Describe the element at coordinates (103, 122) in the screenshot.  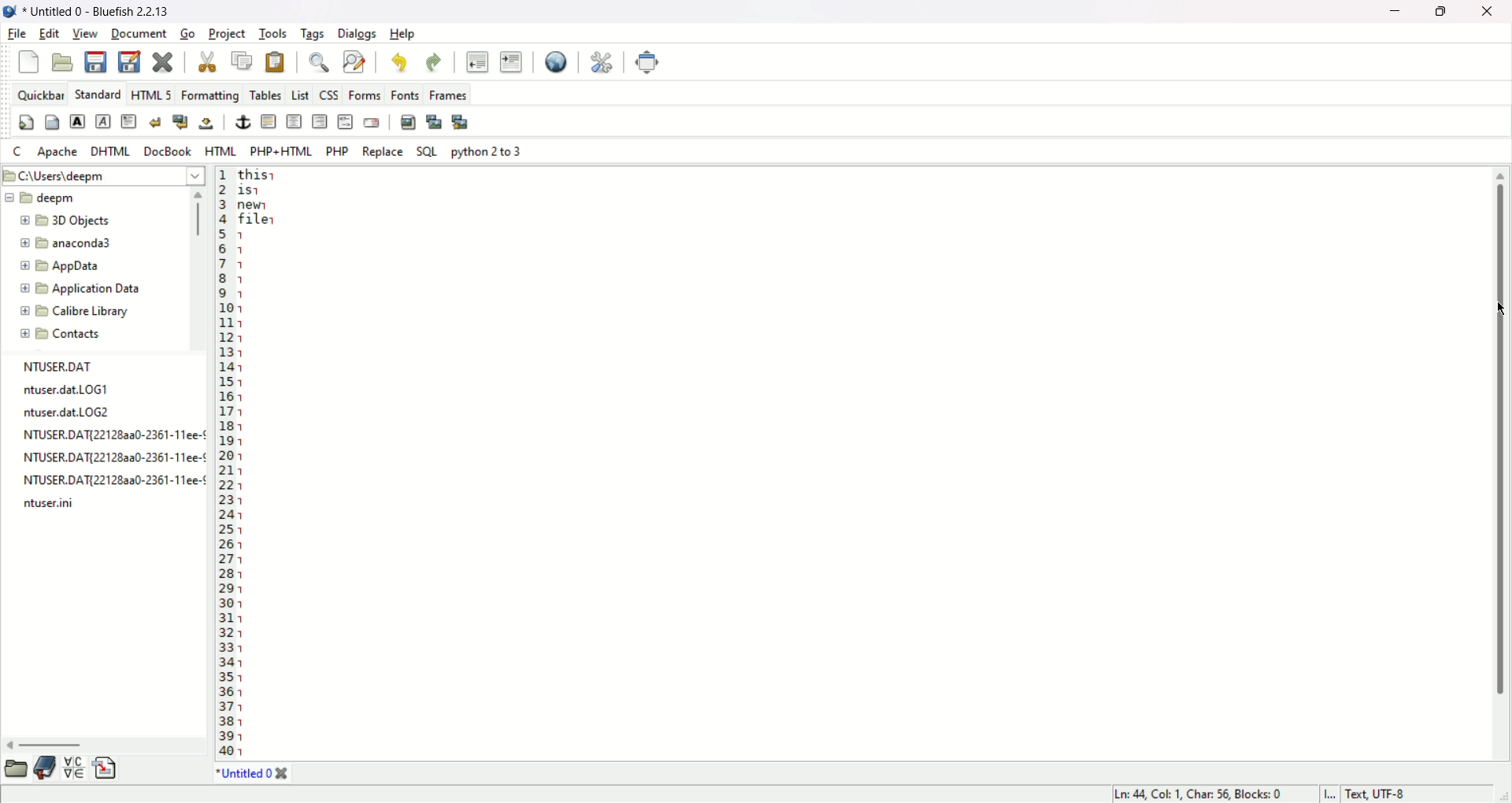
I see `emphasis` at that location.